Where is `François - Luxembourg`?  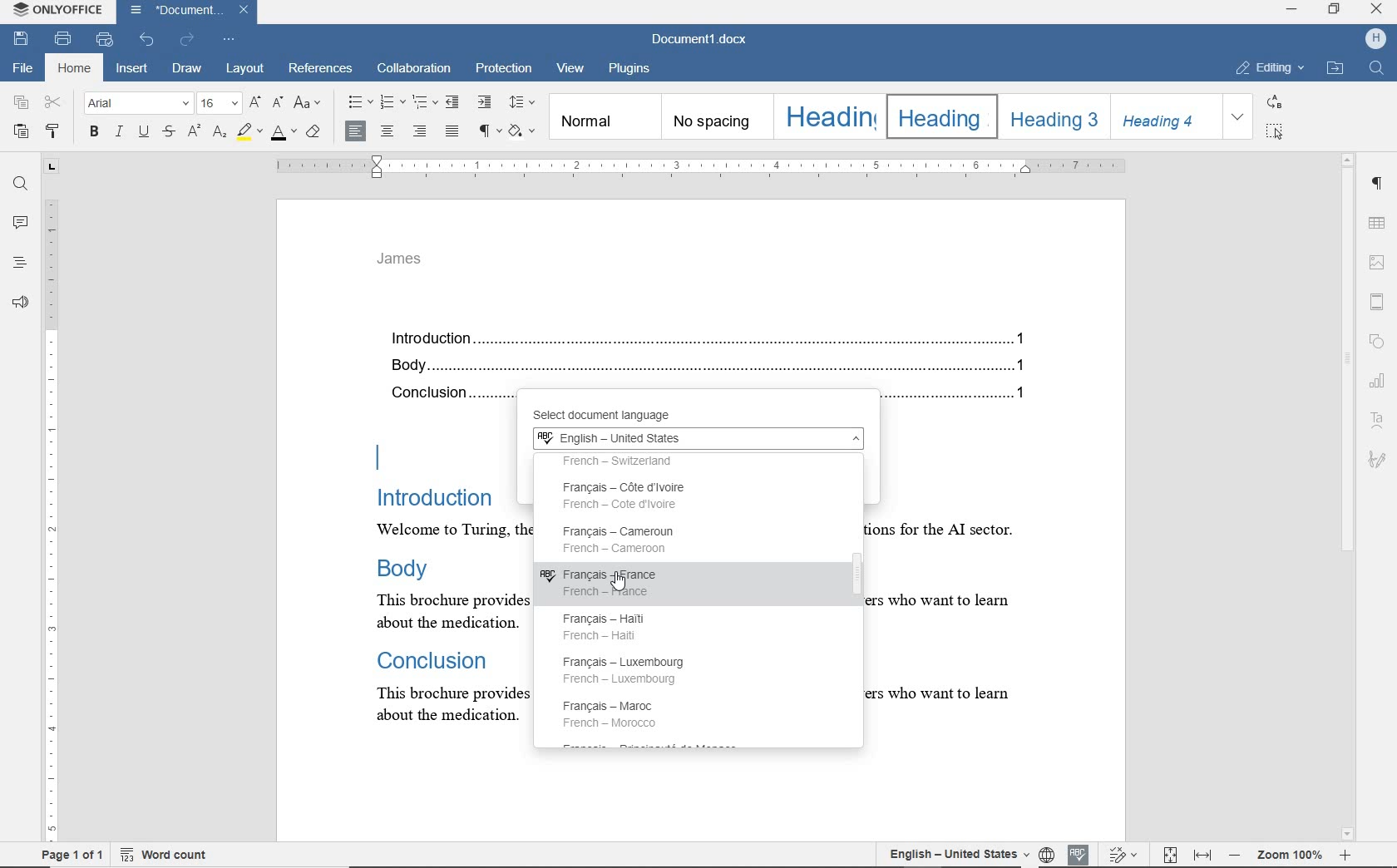
François - Luxembourg is located at coordinates (634, 670).